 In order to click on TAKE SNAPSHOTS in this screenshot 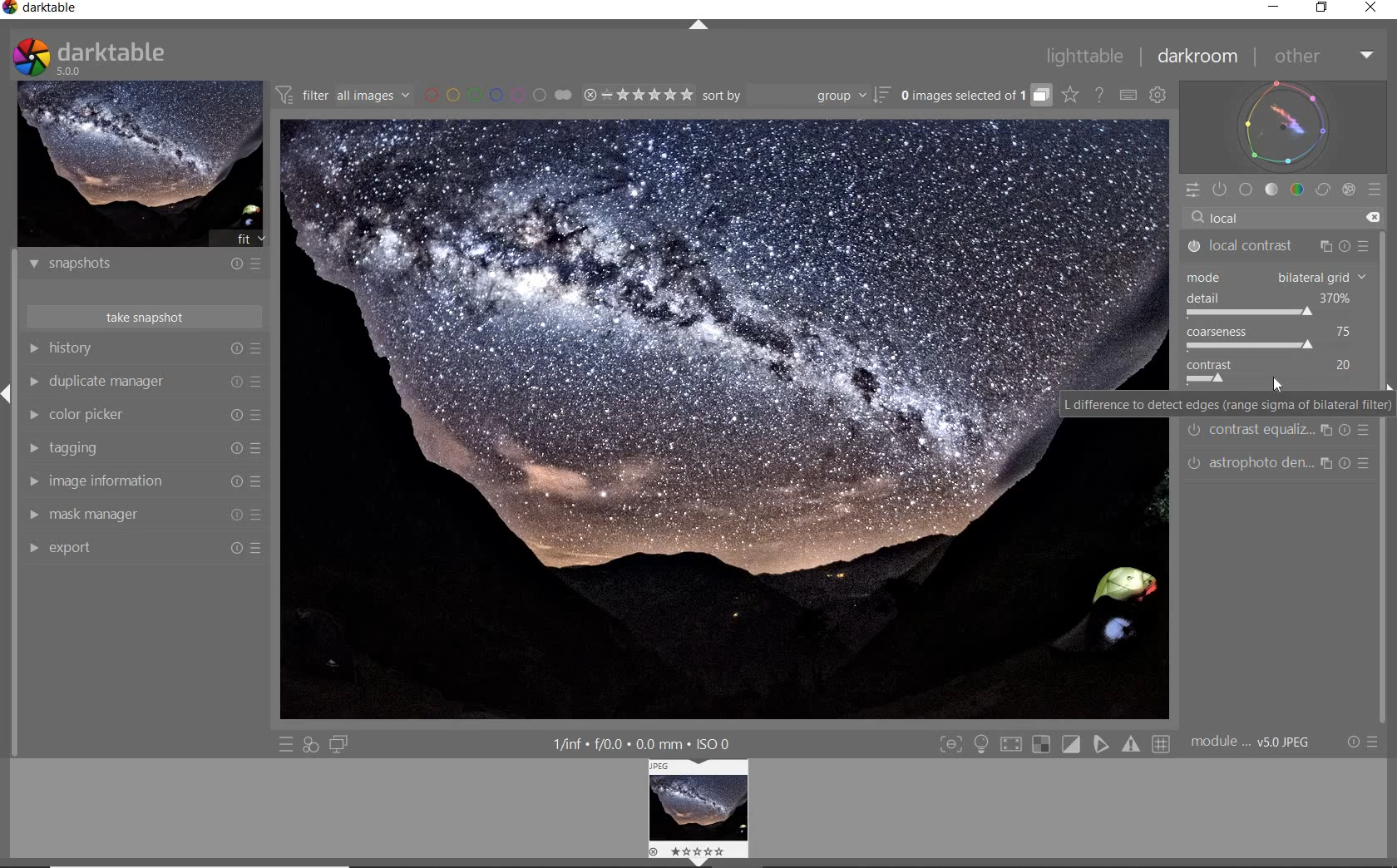, I will do `click(146, 318)`.